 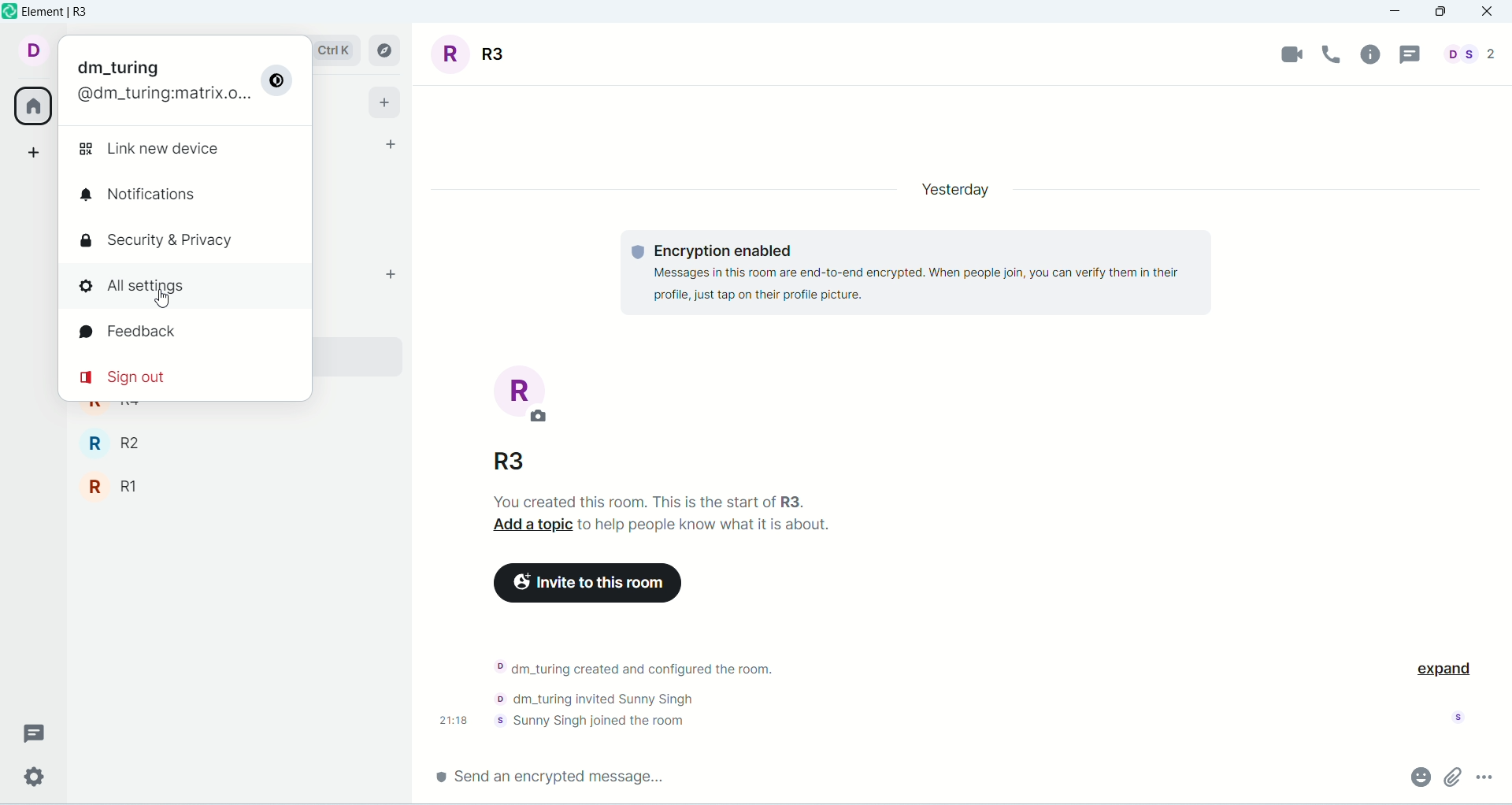 What do you see at coordinates (161, 197) in the screenshot?
I see `notification` at bounding box center [161, 197].